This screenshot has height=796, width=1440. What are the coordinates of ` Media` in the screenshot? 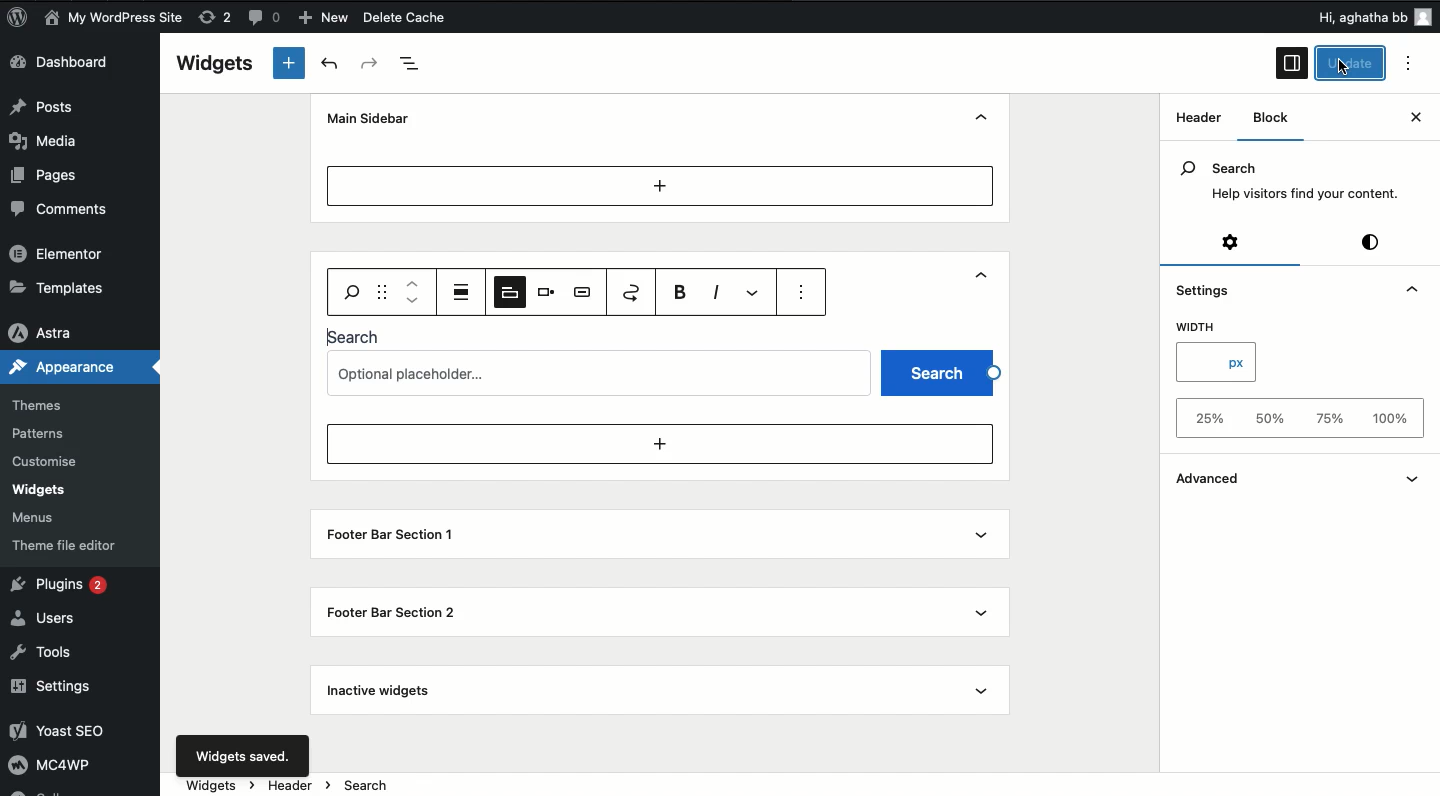 It's located at (56, 139).